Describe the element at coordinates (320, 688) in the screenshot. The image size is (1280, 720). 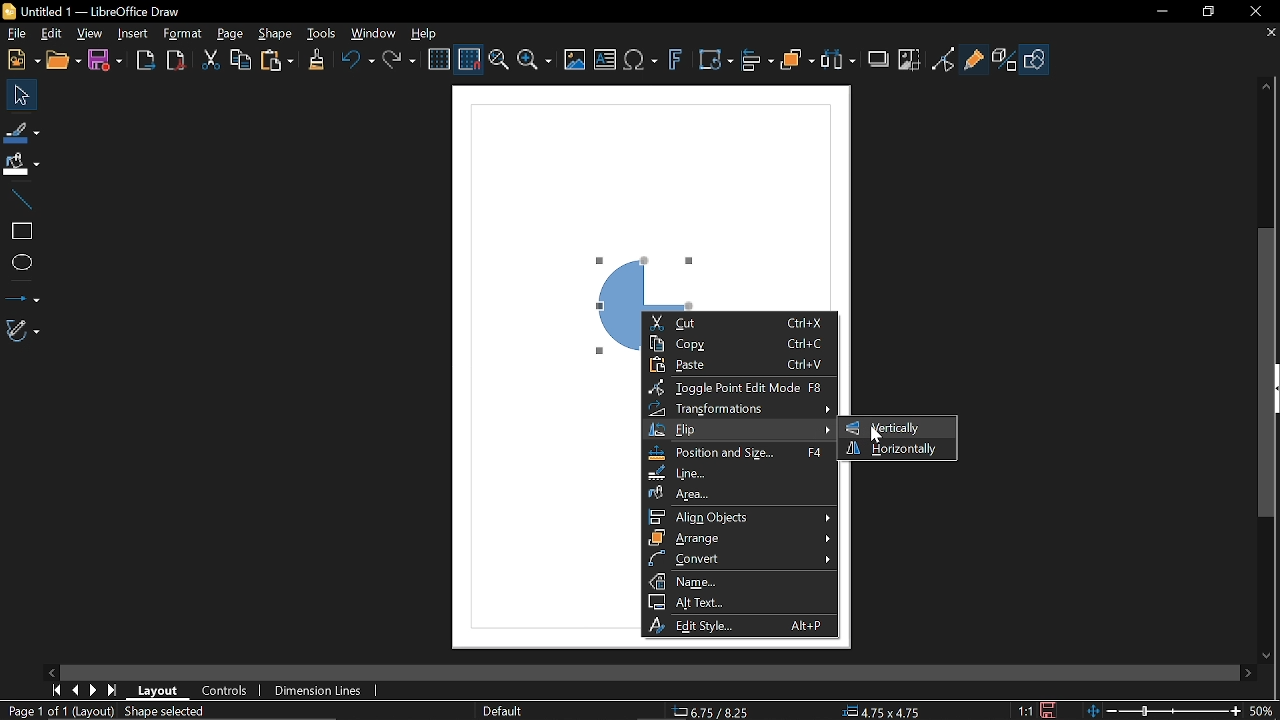
I see `Dimension lines` at that location.